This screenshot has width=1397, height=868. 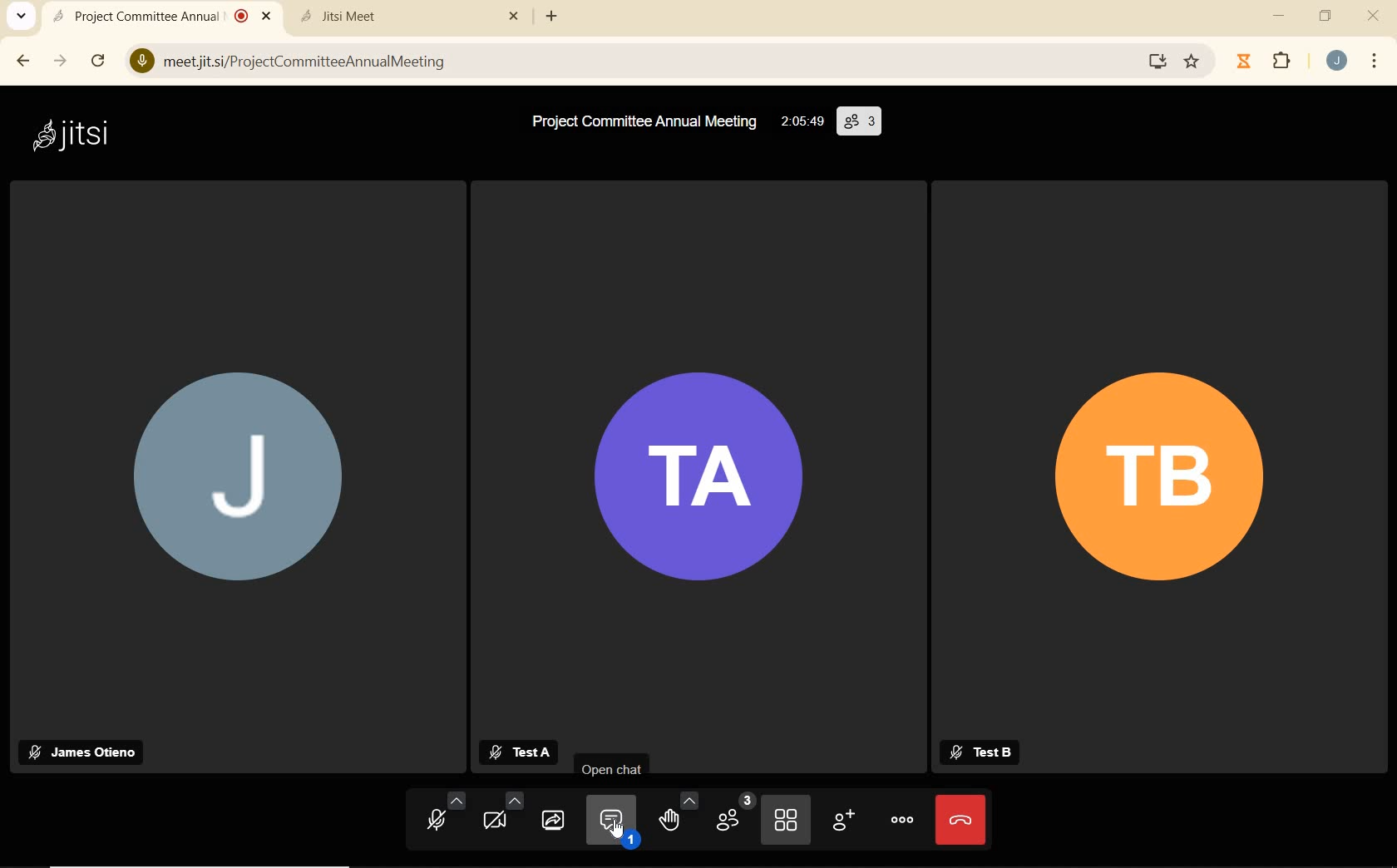 I want to click on James Otieno, so click(x=81, y=751).